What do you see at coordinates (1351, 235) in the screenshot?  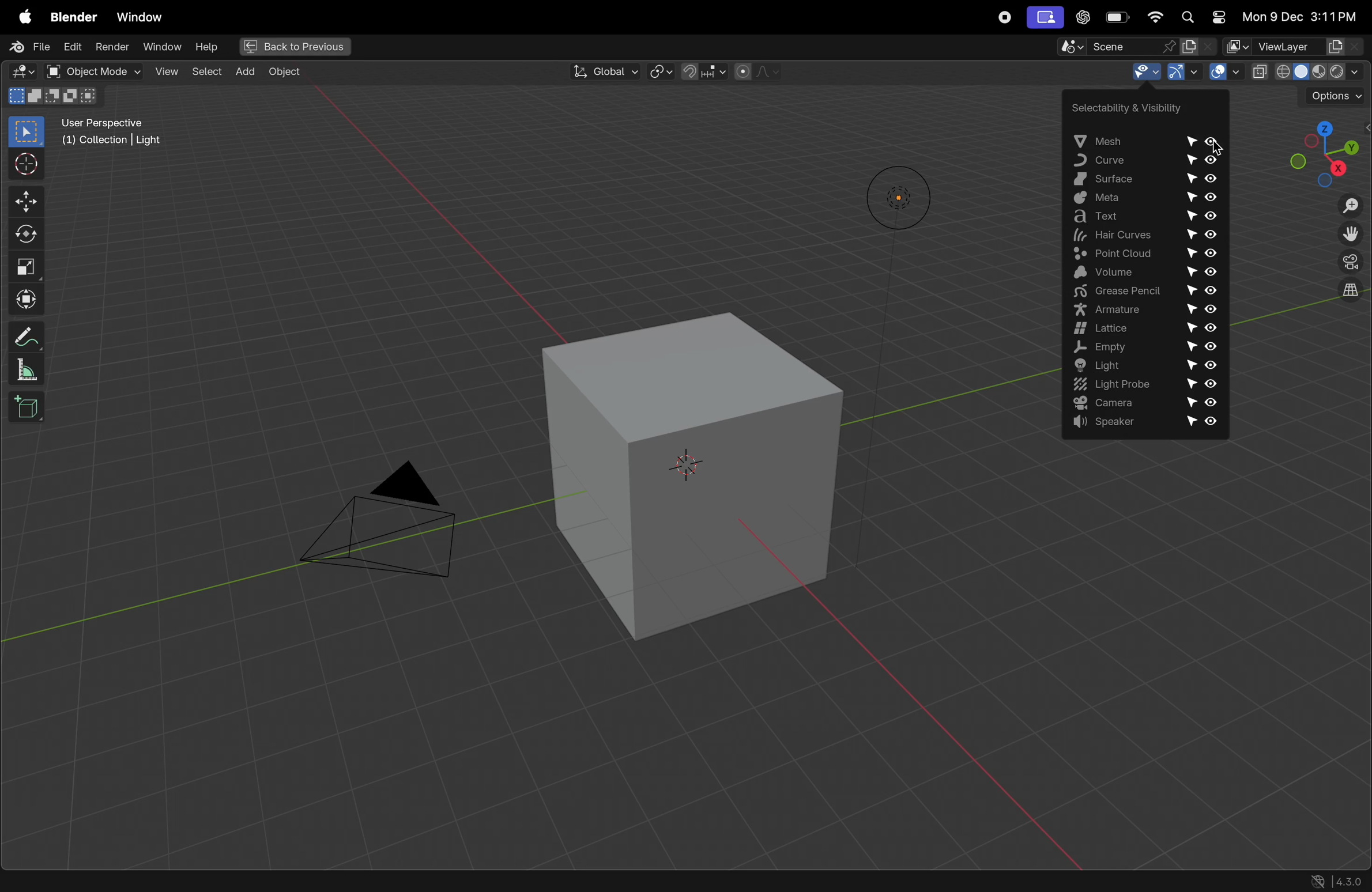 I see `move the view` at bounding box center [1351, 235].